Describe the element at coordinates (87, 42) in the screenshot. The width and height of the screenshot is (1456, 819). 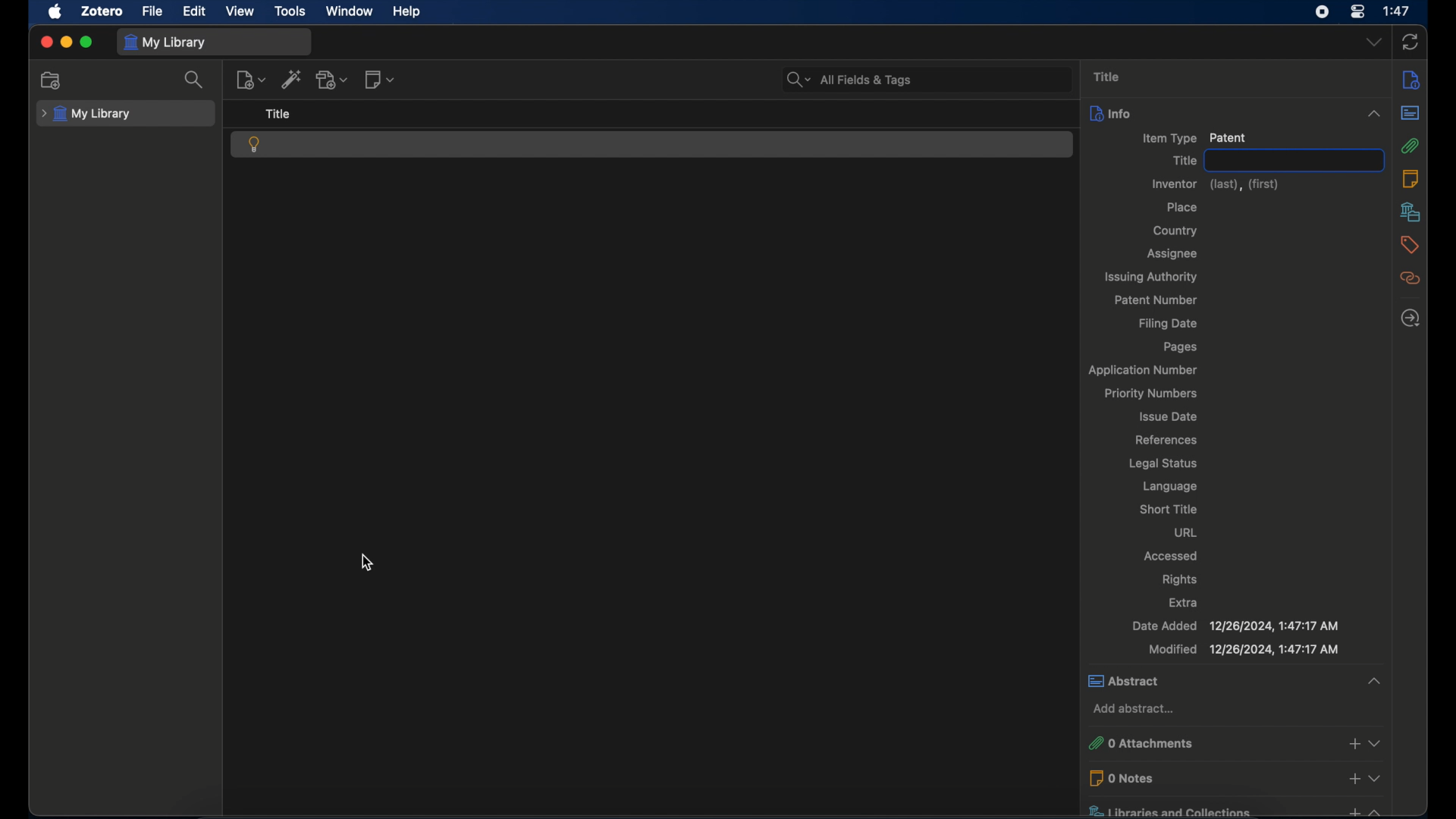
I see `maximize` at that location.